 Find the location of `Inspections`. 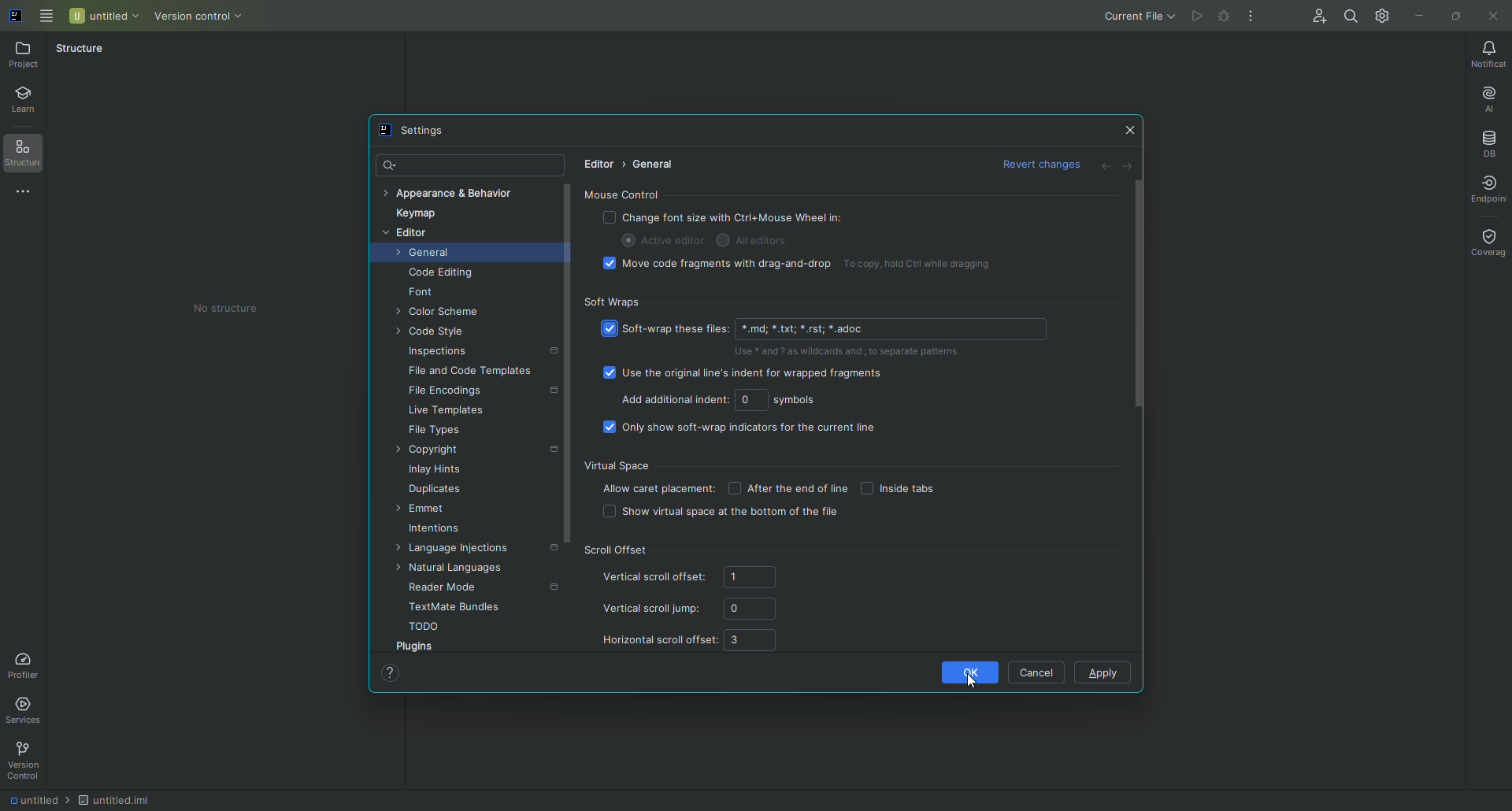

Inspections is located at coordinates (442, 353).